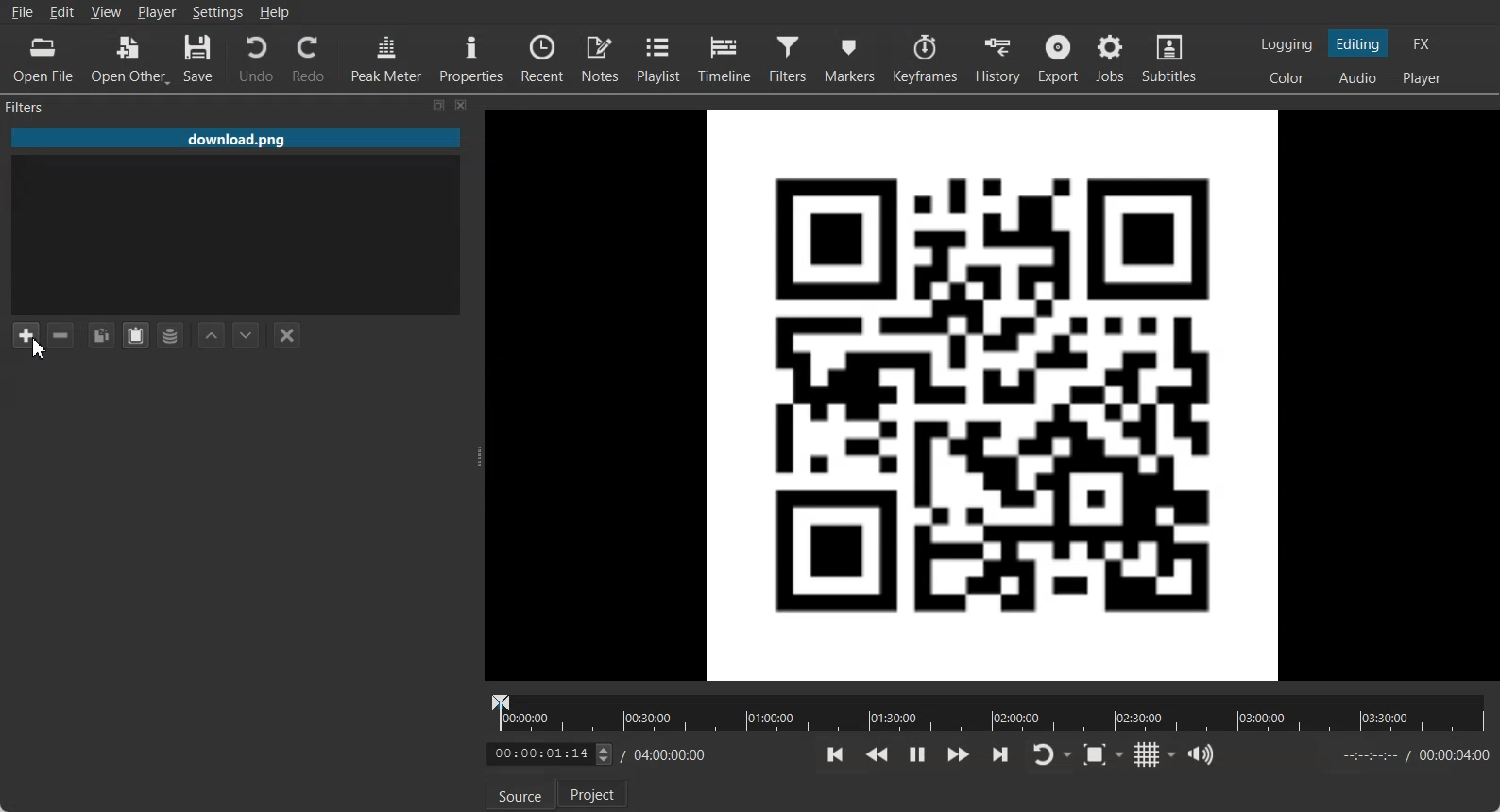 The image size is (1500, 812). I want to click on Open File, so click(43, 60).